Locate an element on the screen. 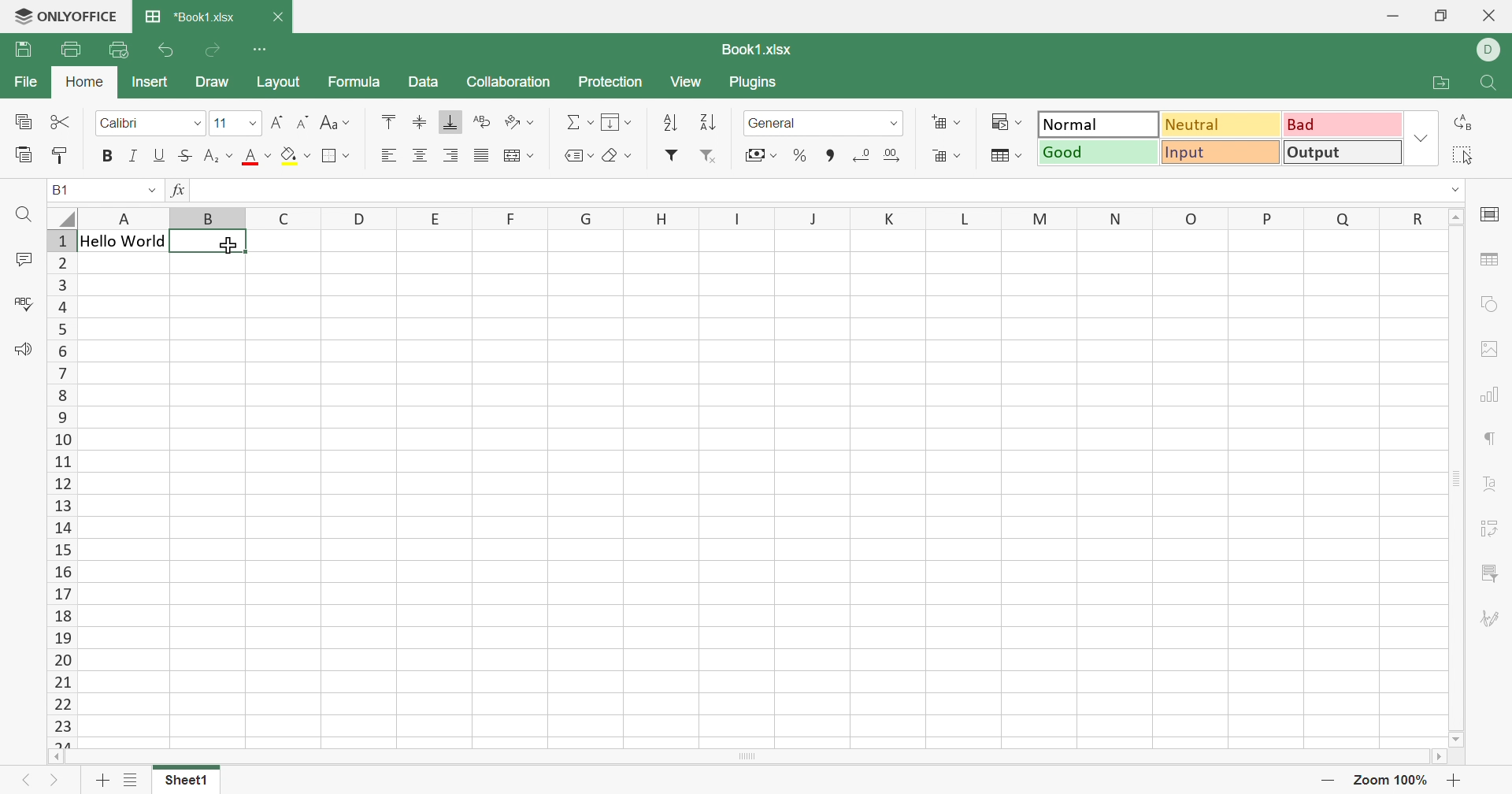  List of sheets is located at coordinates (132, 781).